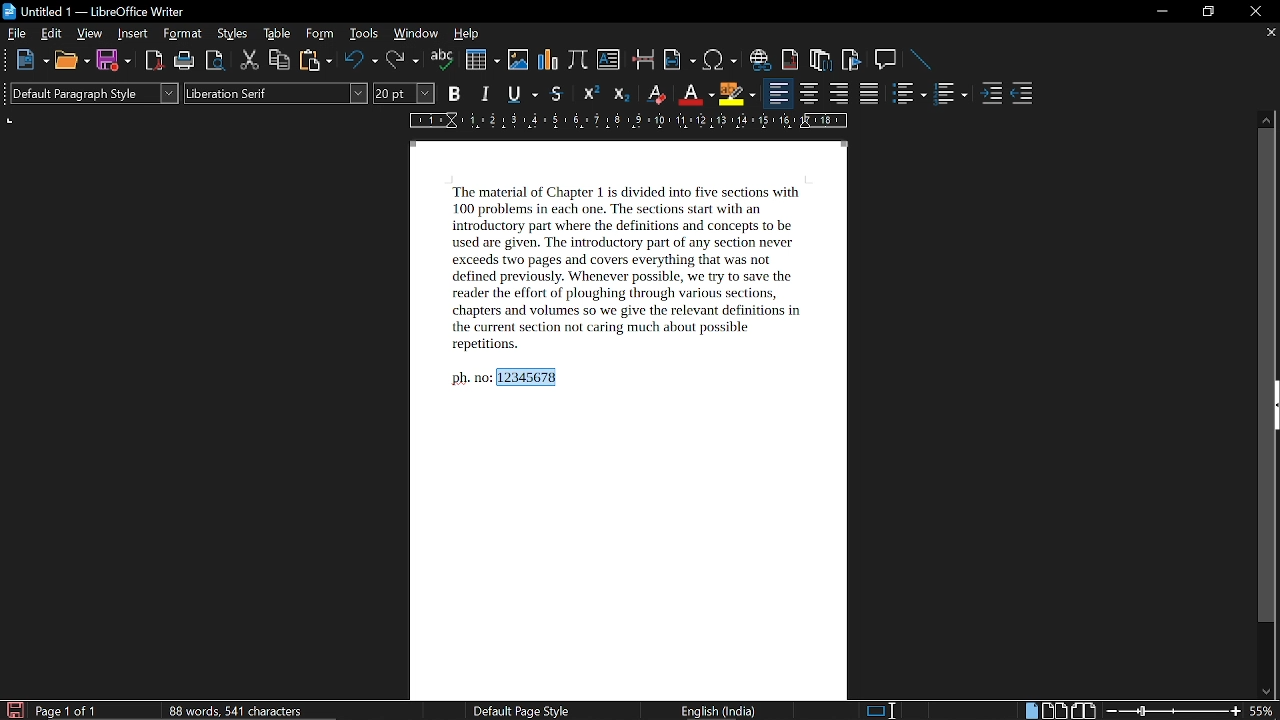  I want to click on 88 words, 541 characters, so click(235, 710).